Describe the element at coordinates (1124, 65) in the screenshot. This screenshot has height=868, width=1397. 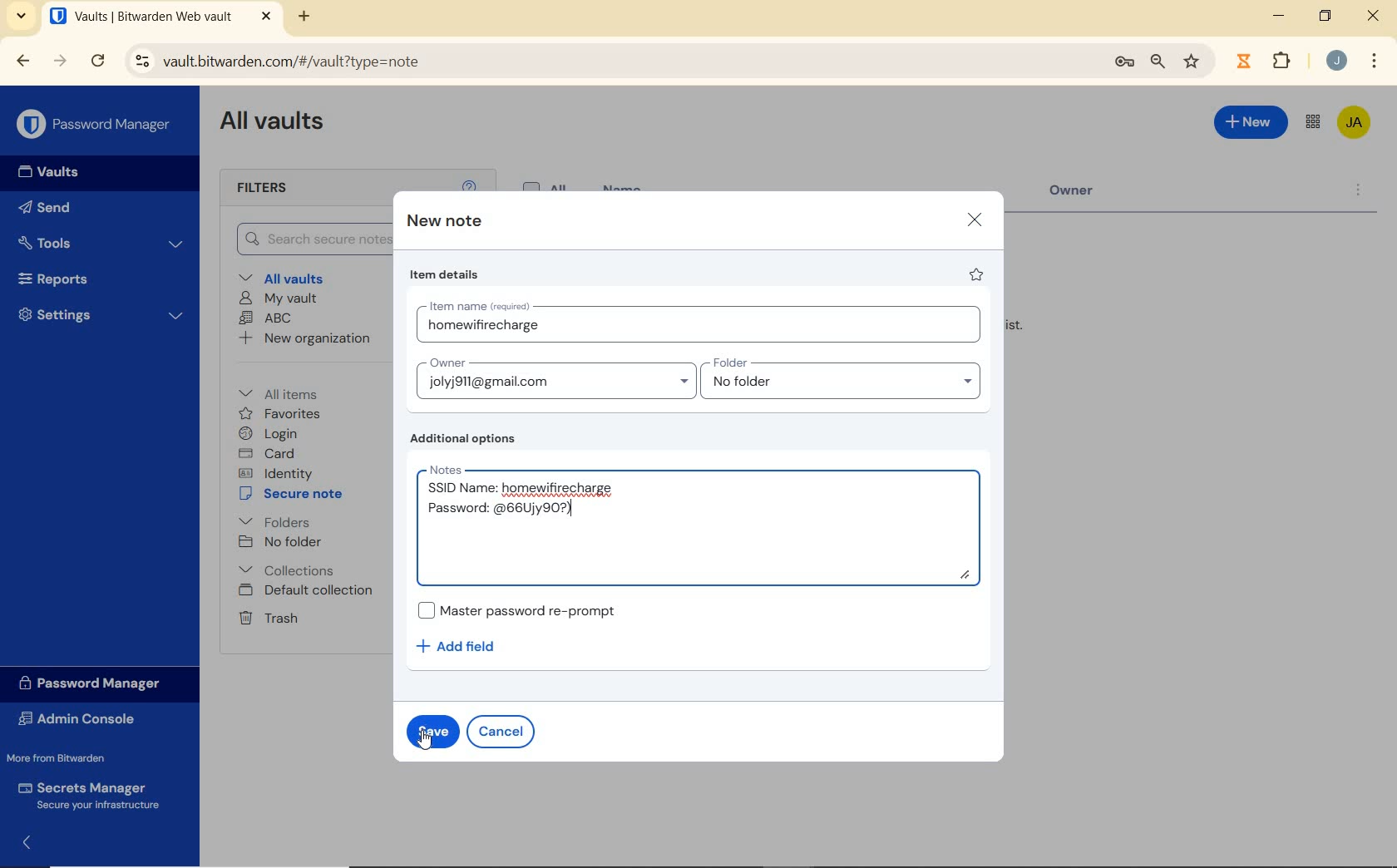
I see `manage passwords` at that location.